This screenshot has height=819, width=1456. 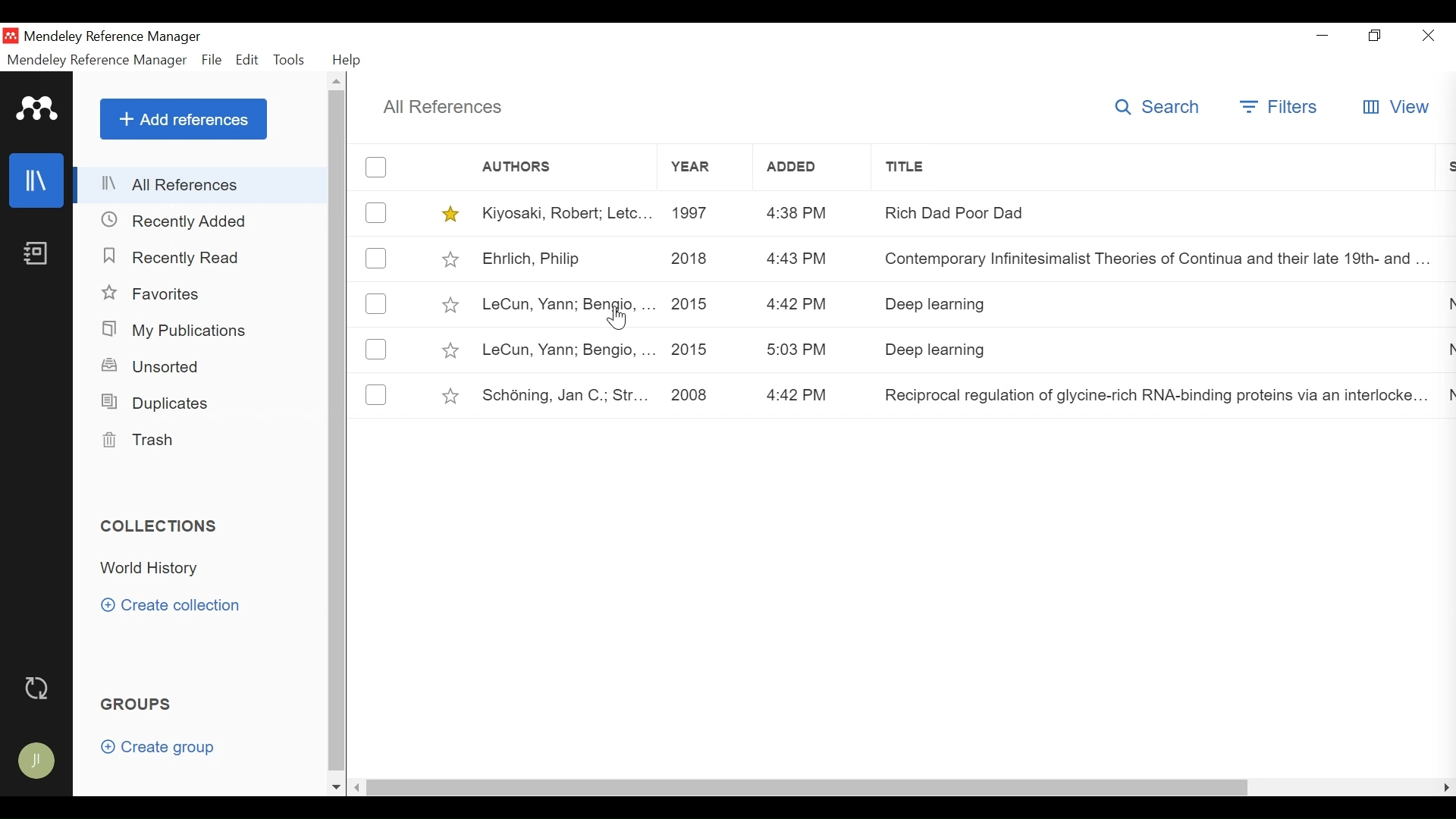 I want to click on Collections, so click(x=165, y=526).